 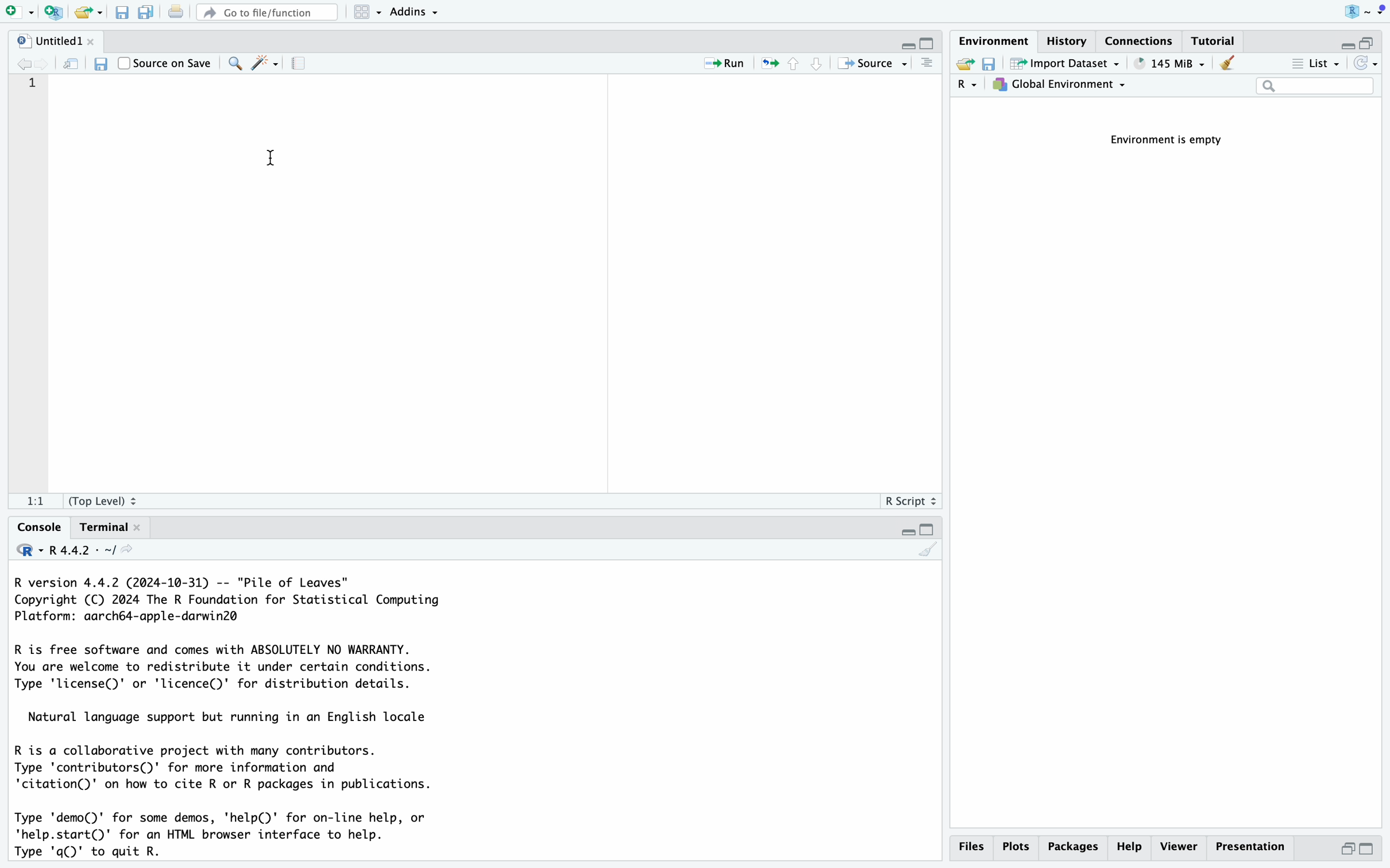 What do you see at coordinates (1016, 847) in the screenshot?
I see `plots` at bounding box center [1016, 847].